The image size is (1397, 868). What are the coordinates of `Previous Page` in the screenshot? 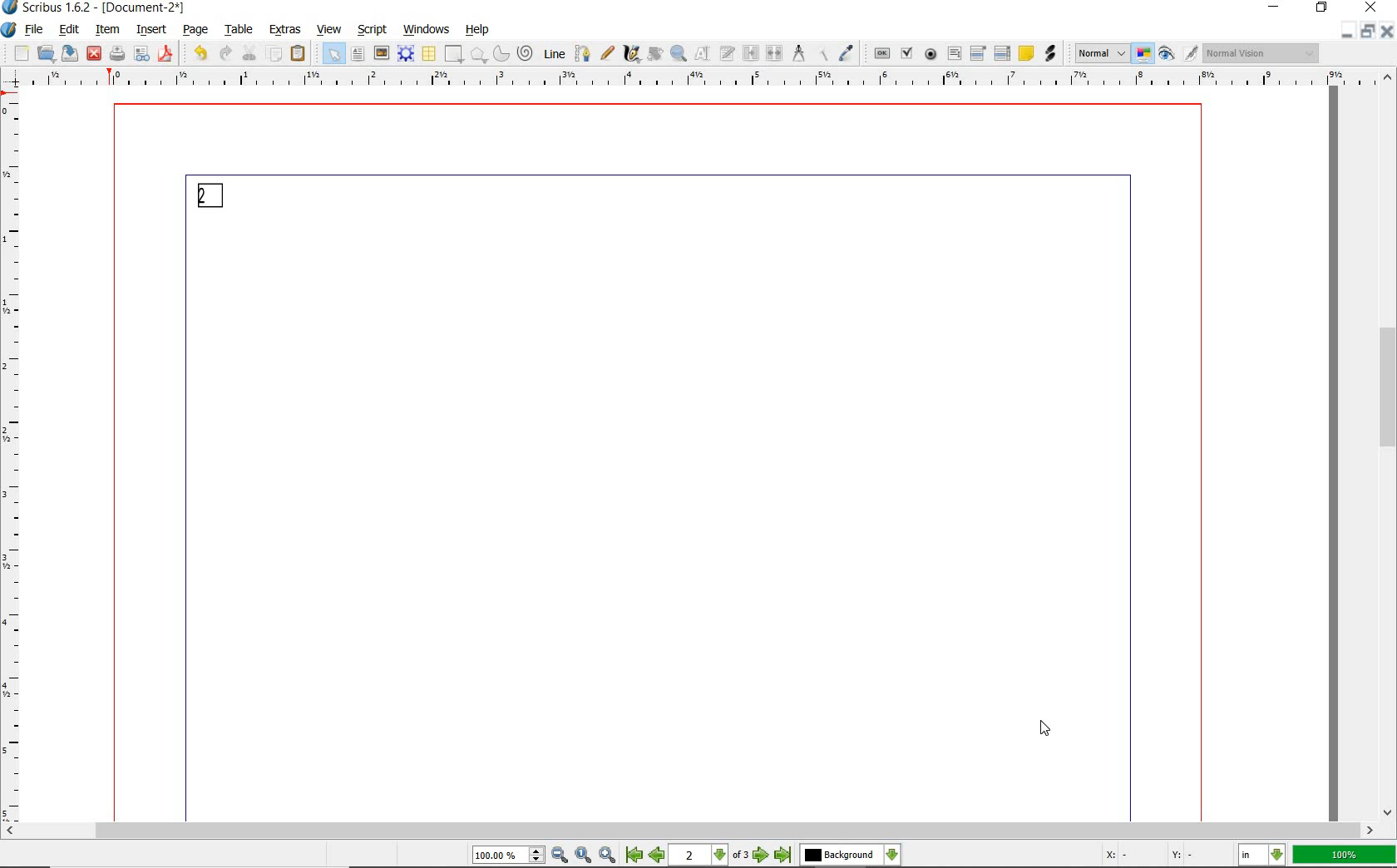 It's located at (659, 857).